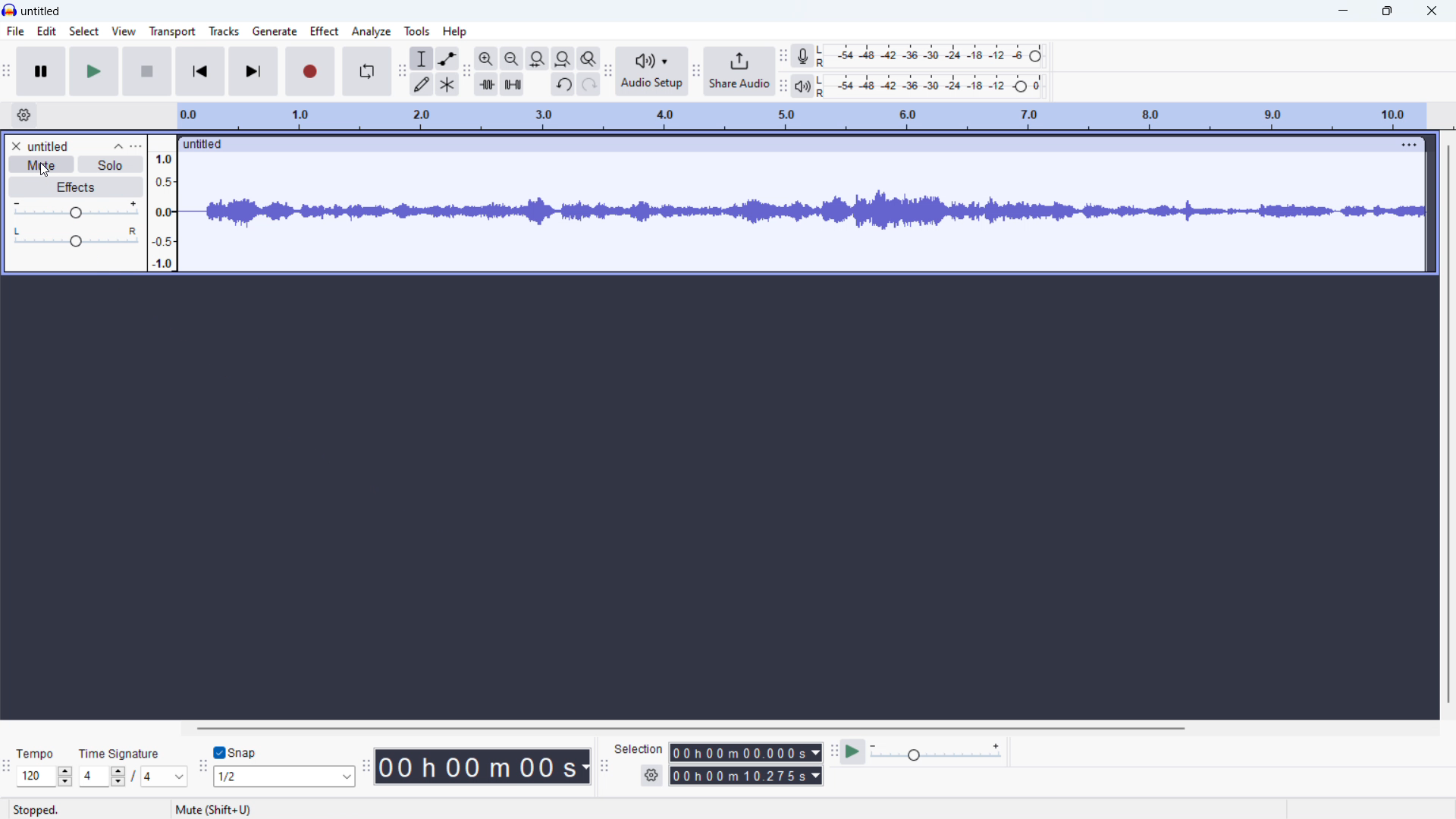 This screenshot has width=1456, height=819. What do you see at coordinates (563, 84) in the screenshot?
I see `undo` at bounding box center [563, 84].